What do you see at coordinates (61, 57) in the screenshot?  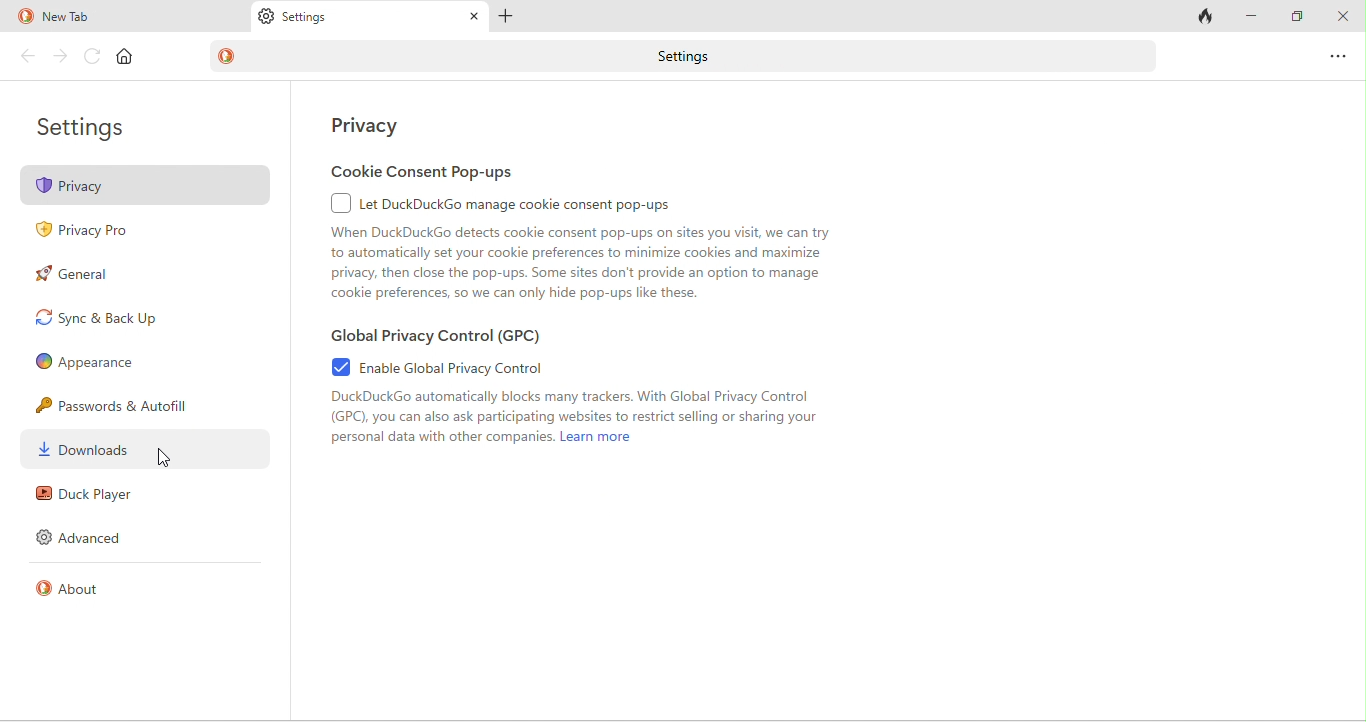 I see `forward` at bounding box center [61, 57].